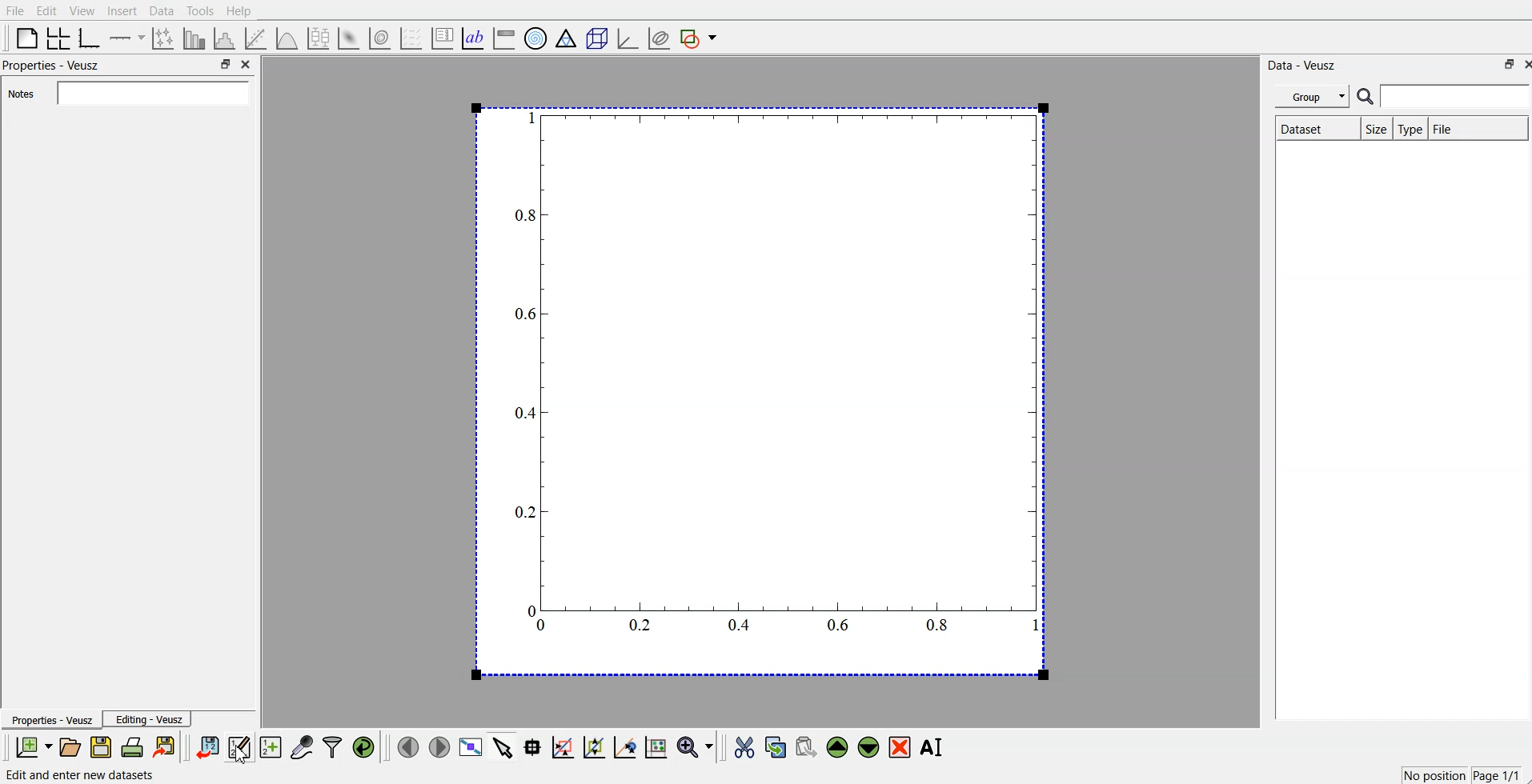 The height and width of the screenshot is (784, 1532). I want to click on Notes field, so click(151, 92).